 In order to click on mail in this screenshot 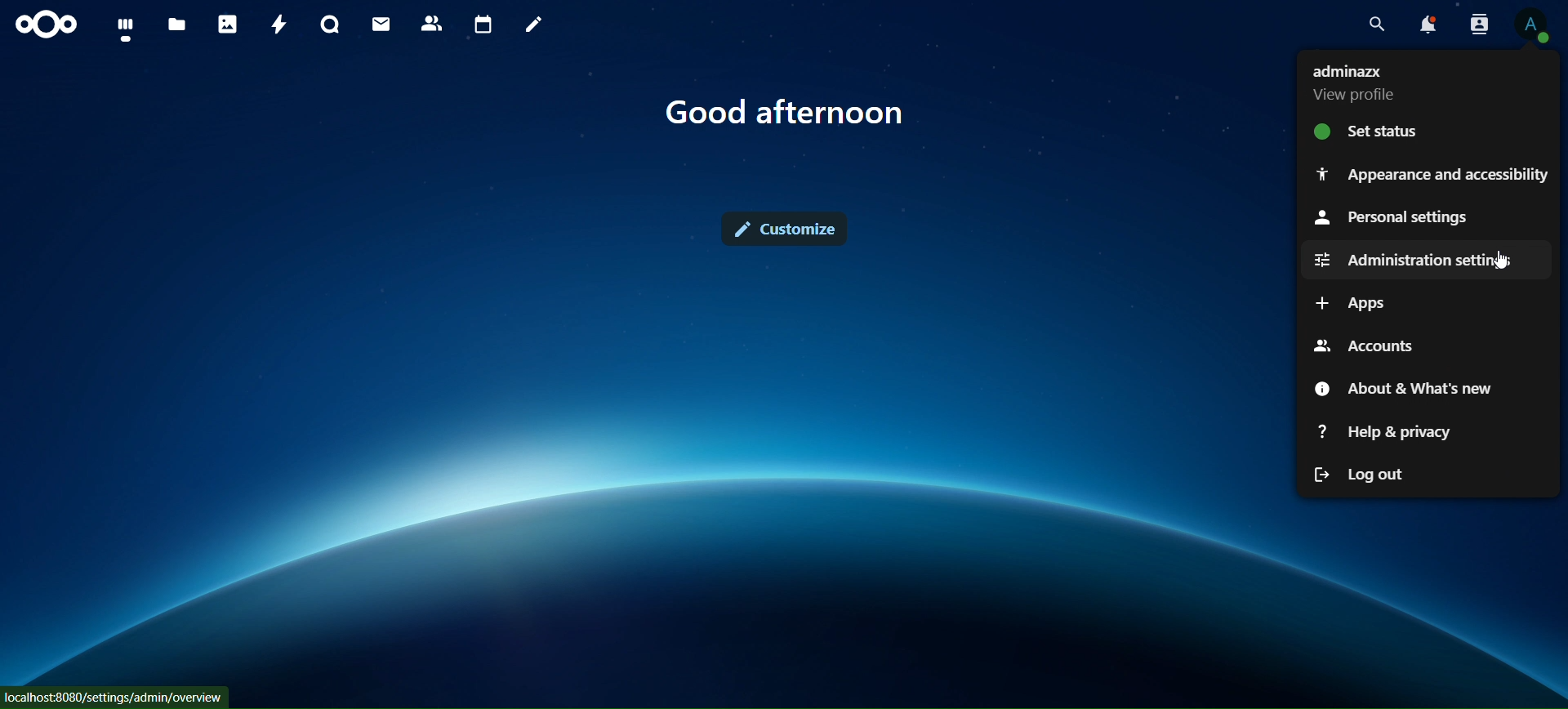, I will do `click(379, 25)`.